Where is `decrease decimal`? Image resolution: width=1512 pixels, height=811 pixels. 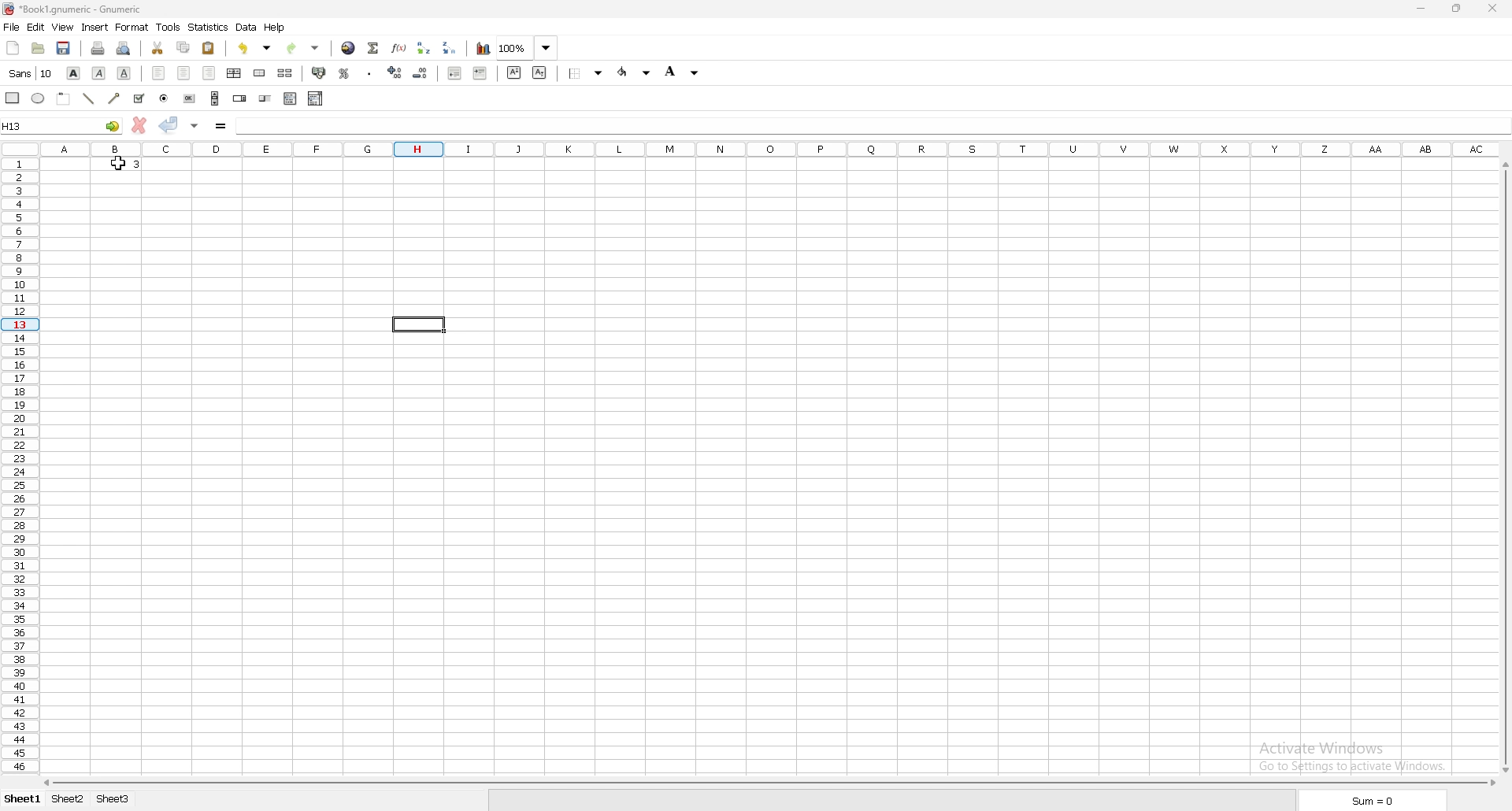
decrease decimal is located at coordinates (418, 74).